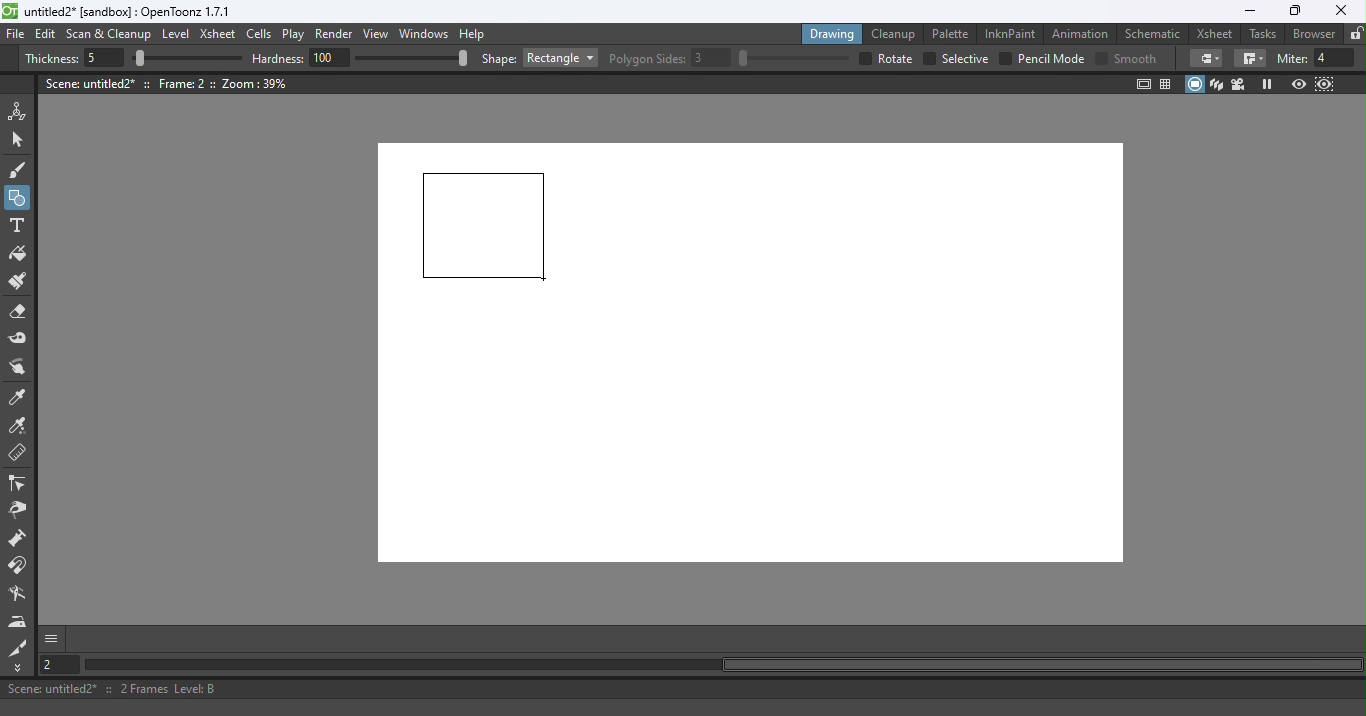 The height and width of the screenshot is (716, 1366). Describe the element at coordinates (21, 139) in the screenshot. I see `Selection tool` at that location.